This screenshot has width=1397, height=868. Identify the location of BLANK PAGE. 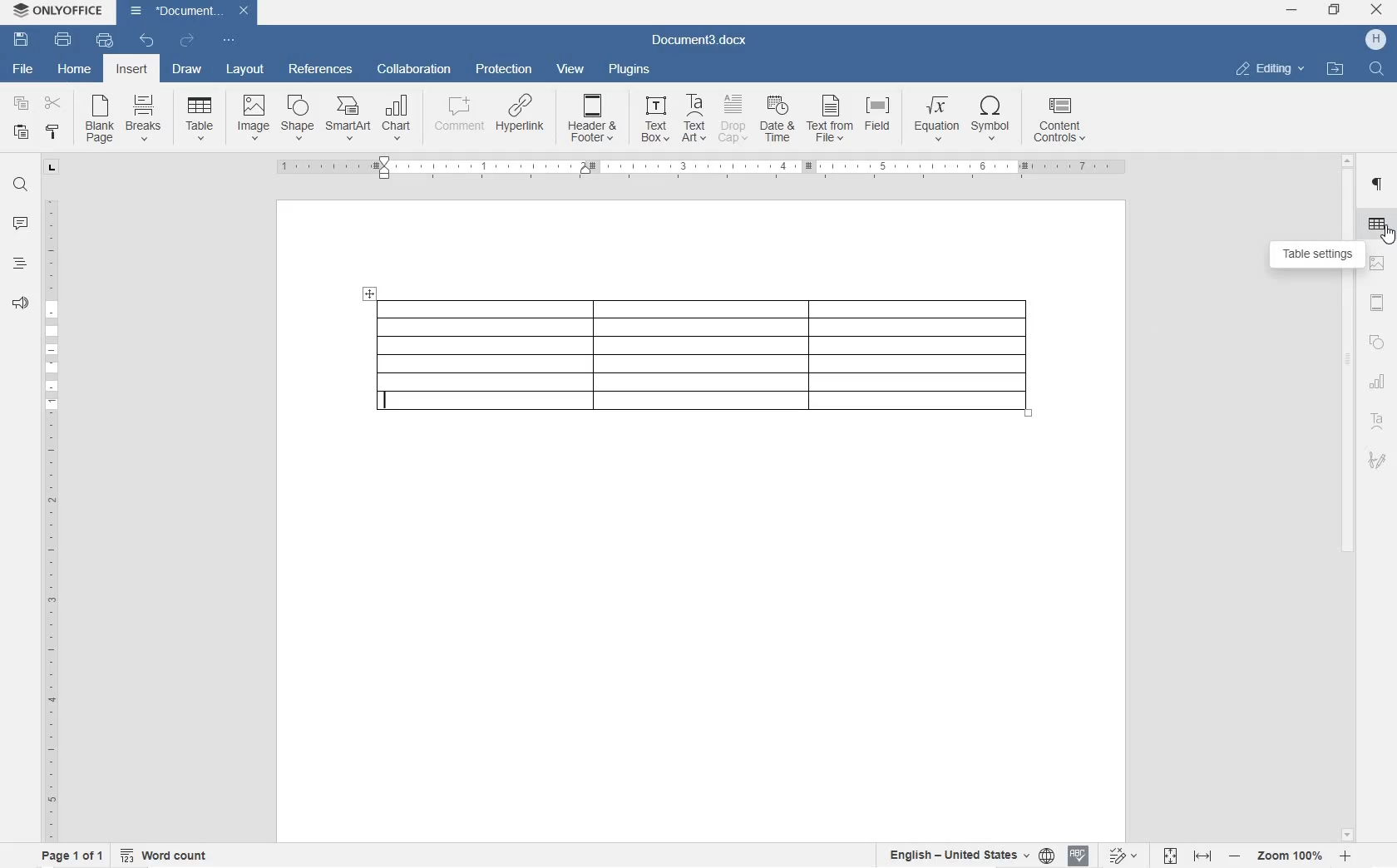
(101, 120).